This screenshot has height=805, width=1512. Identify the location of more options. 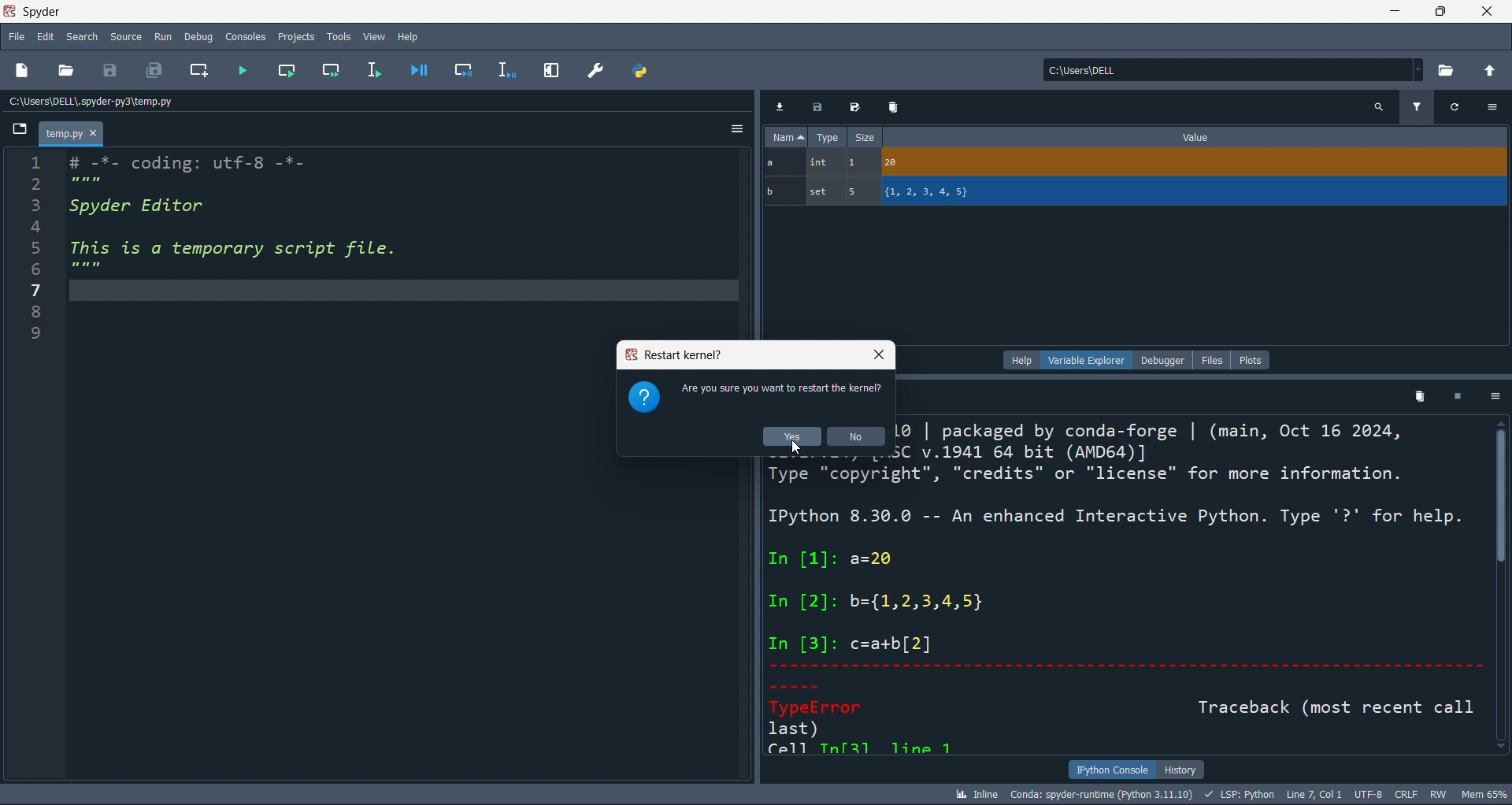
(1492, 106).